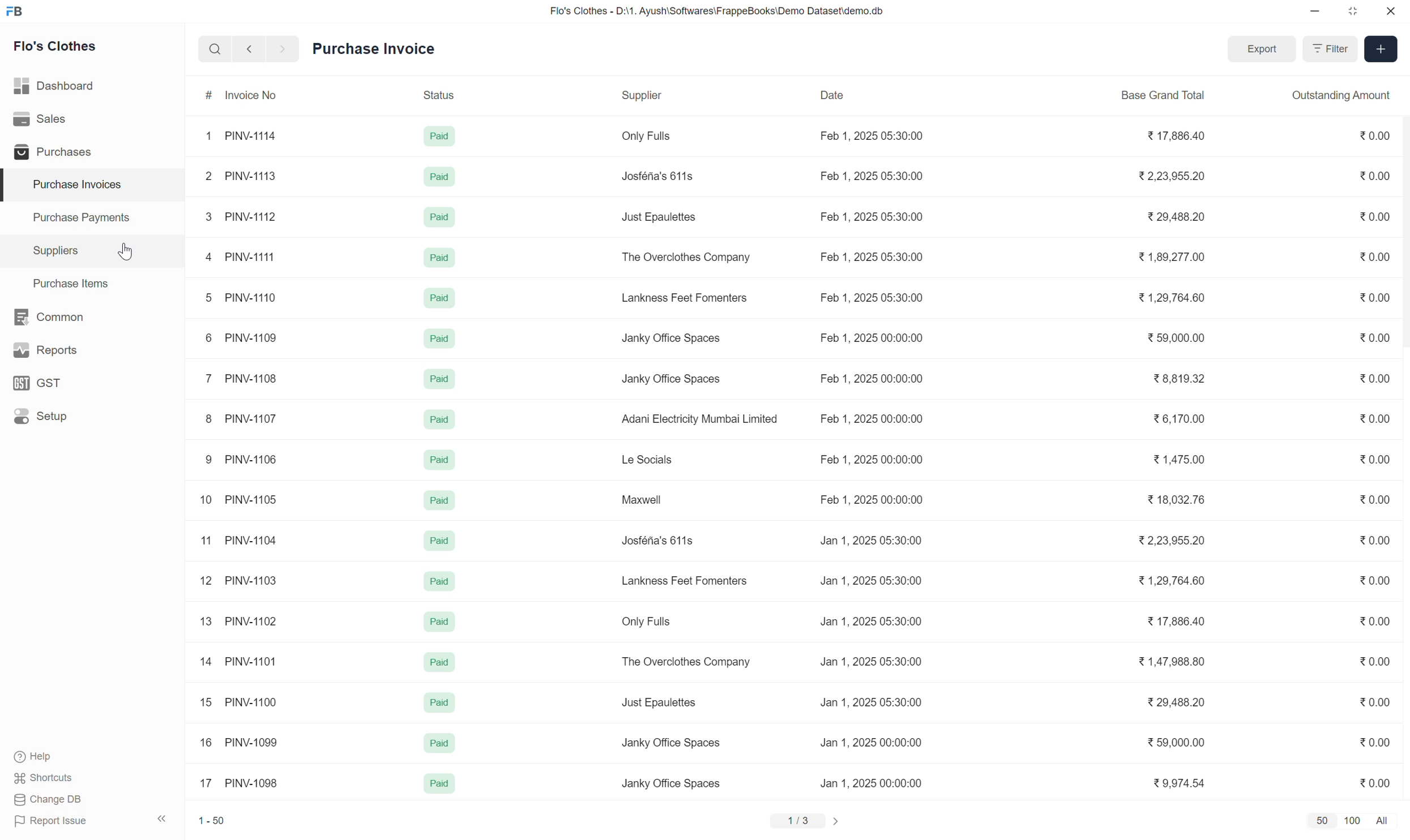 Image resolution: width=1410 pixels, height=840 pixels. I want to click on Close, so click(1391, 11).